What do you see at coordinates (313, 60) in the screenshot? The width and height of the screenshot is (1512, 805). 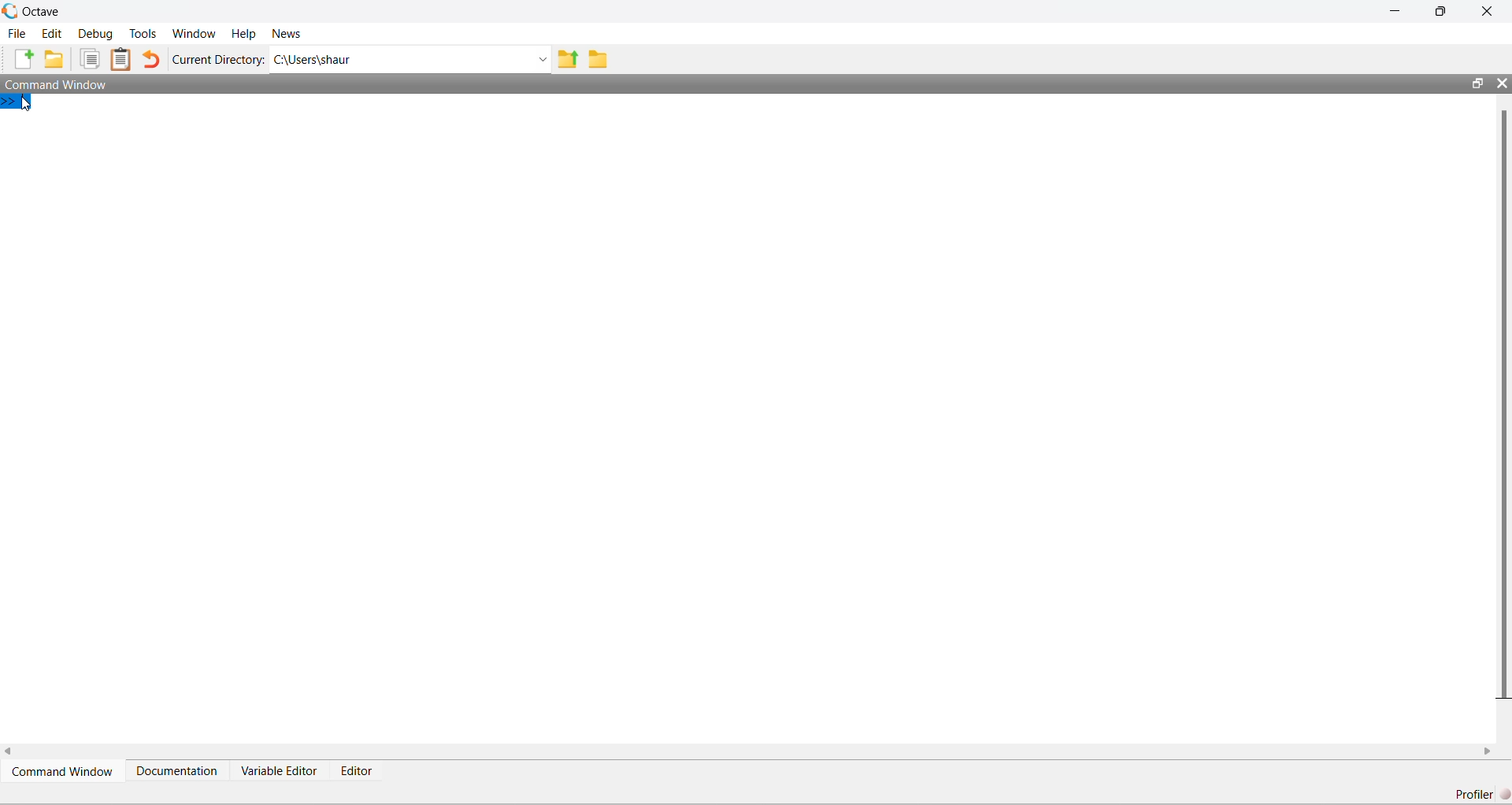 I see `C:\Users\shaur` at bounding box center [313, 60].